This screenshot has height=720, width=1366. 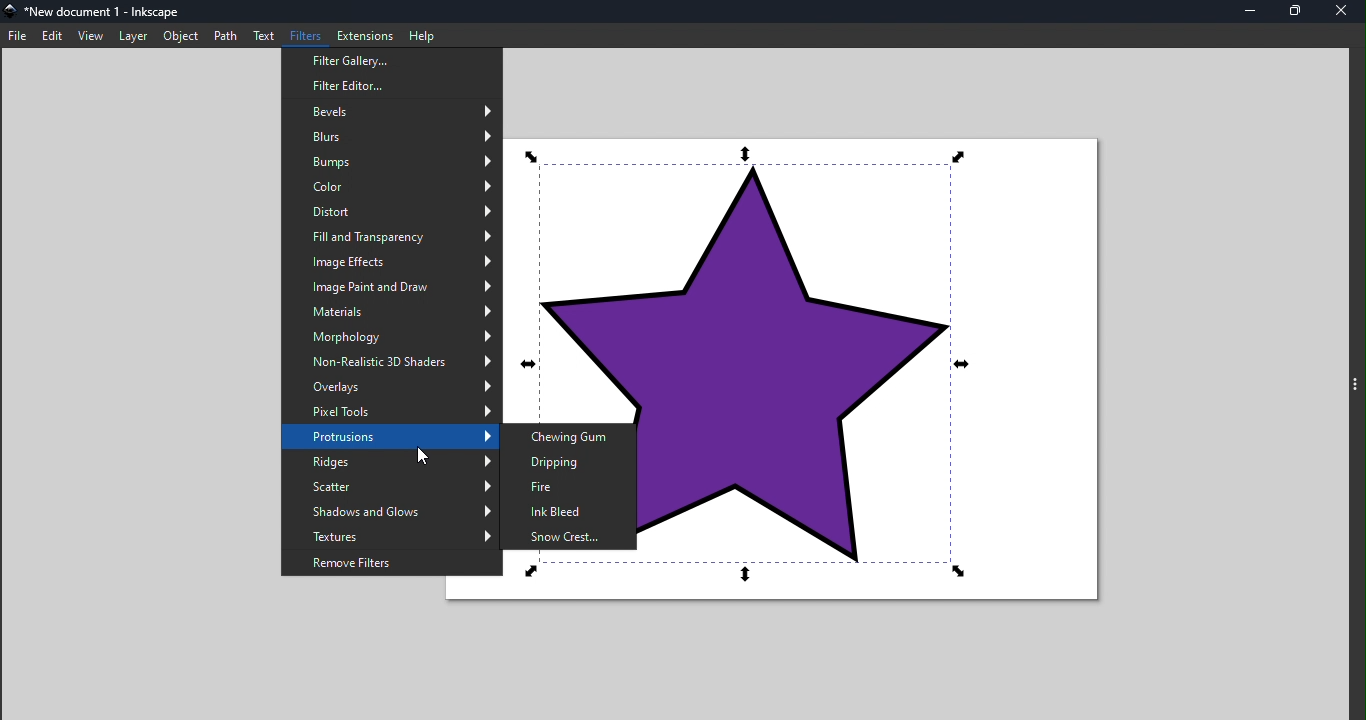 What do you see at coordinates (389, 564) in the screenshot?
I see `Remove filters` at bounding box center [389, 564].